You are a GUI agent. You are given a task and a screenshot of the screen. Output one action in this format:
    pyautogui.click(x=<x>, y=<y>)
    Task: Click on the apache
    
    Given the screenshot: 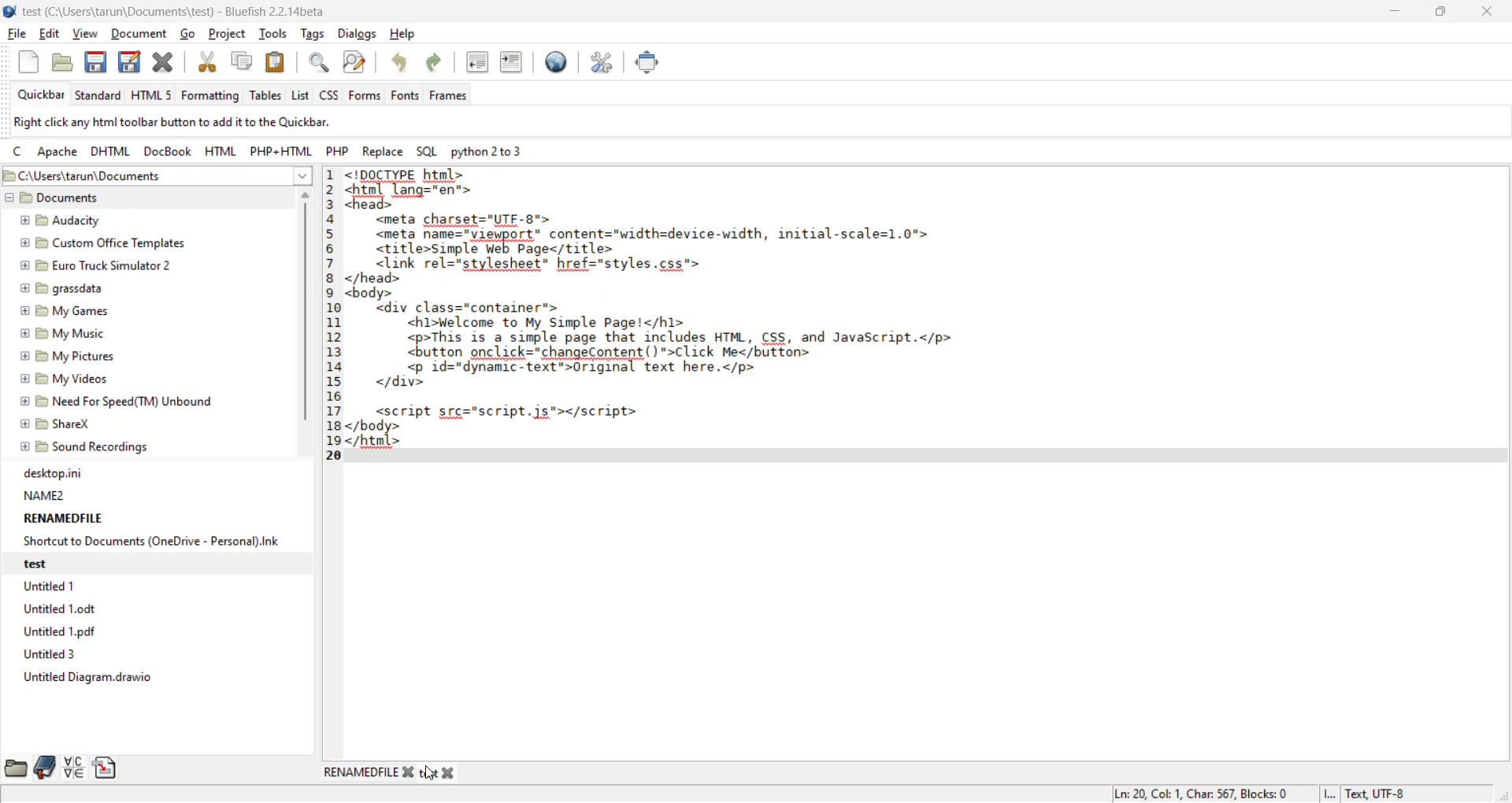 What is the action you would take?
    pyautogui.click(x=56, y=154)
    